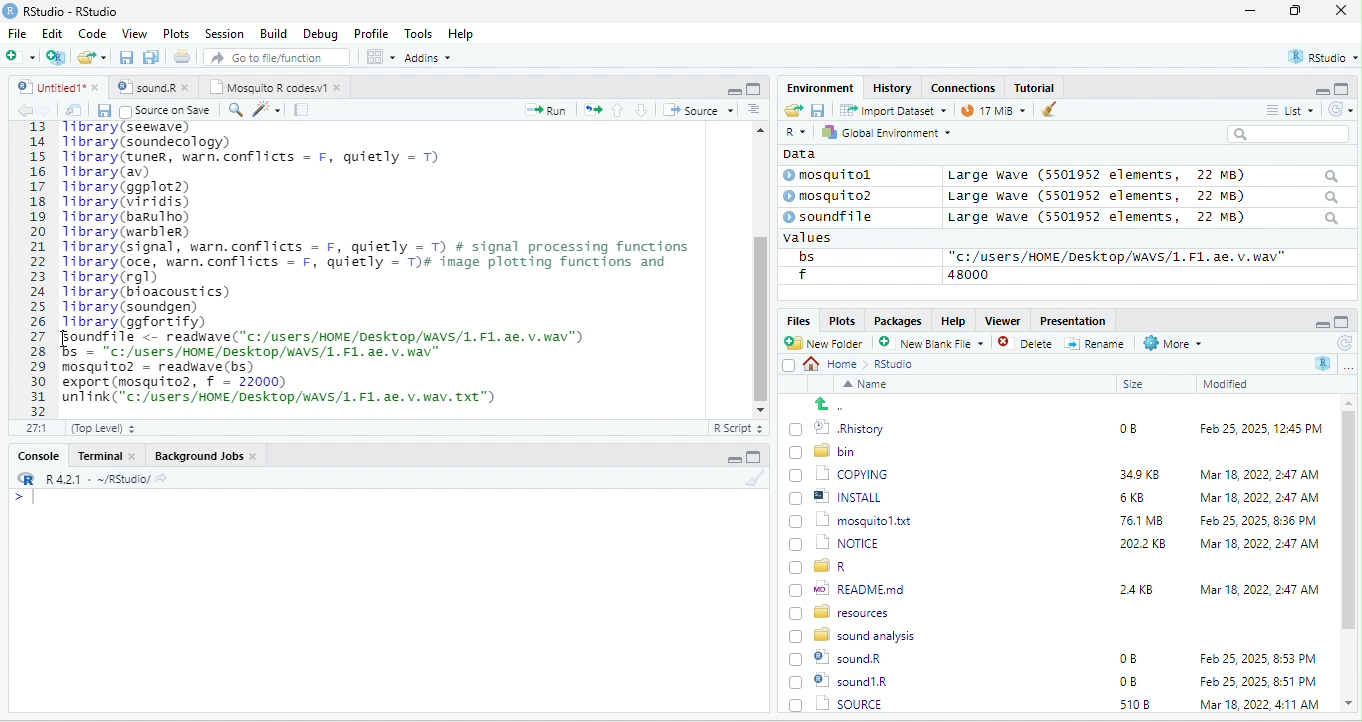 The height and width of the screenshot is (722, 1362). What do you see at coordinates (93, 33) in the screenshot?
I see `Code` at bounding box center [93, 33].